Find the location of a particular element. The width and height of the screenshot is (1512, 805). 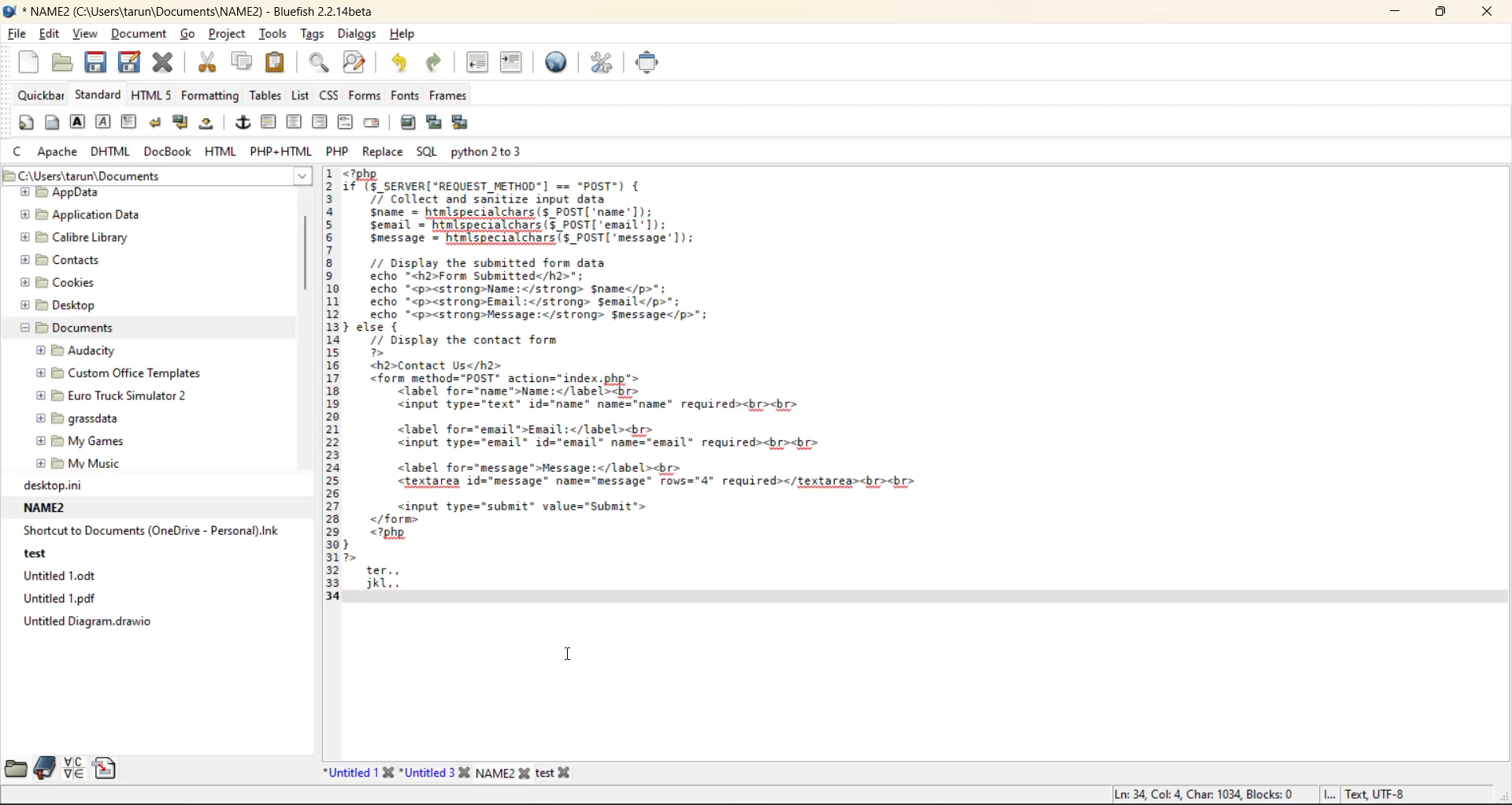

frames is located at coordinates (450, 97).